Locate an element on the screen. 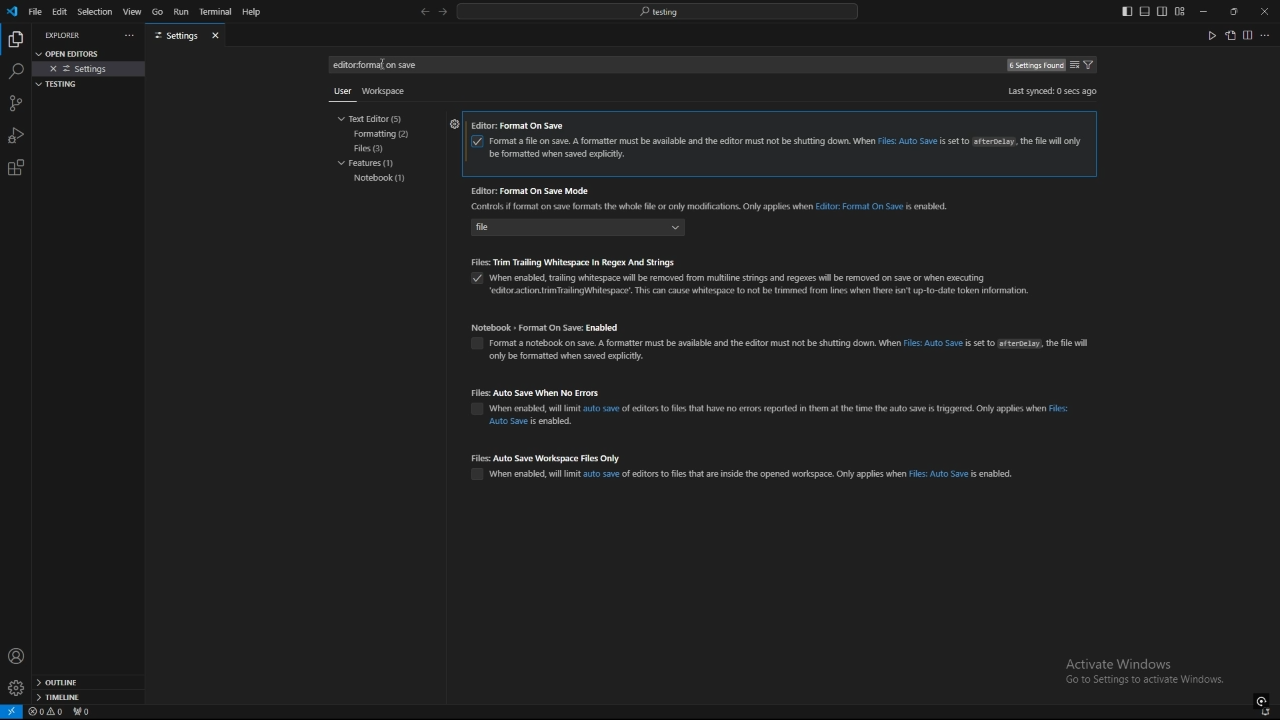 The height and width of the screenshot is (720, 1280). close tab is located at coordinates (218, 35).